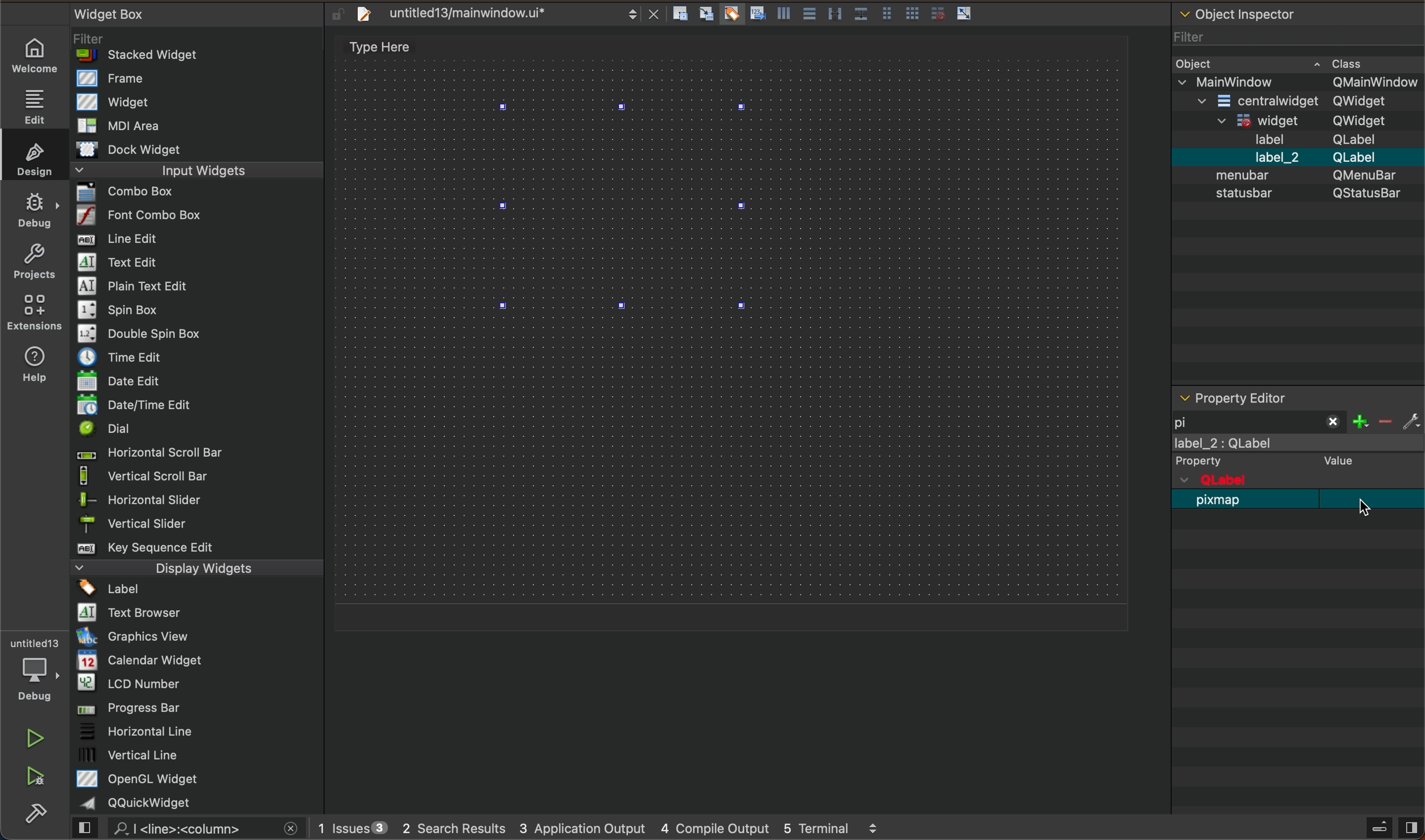  I want to click on cursor, so click(1364, 508).